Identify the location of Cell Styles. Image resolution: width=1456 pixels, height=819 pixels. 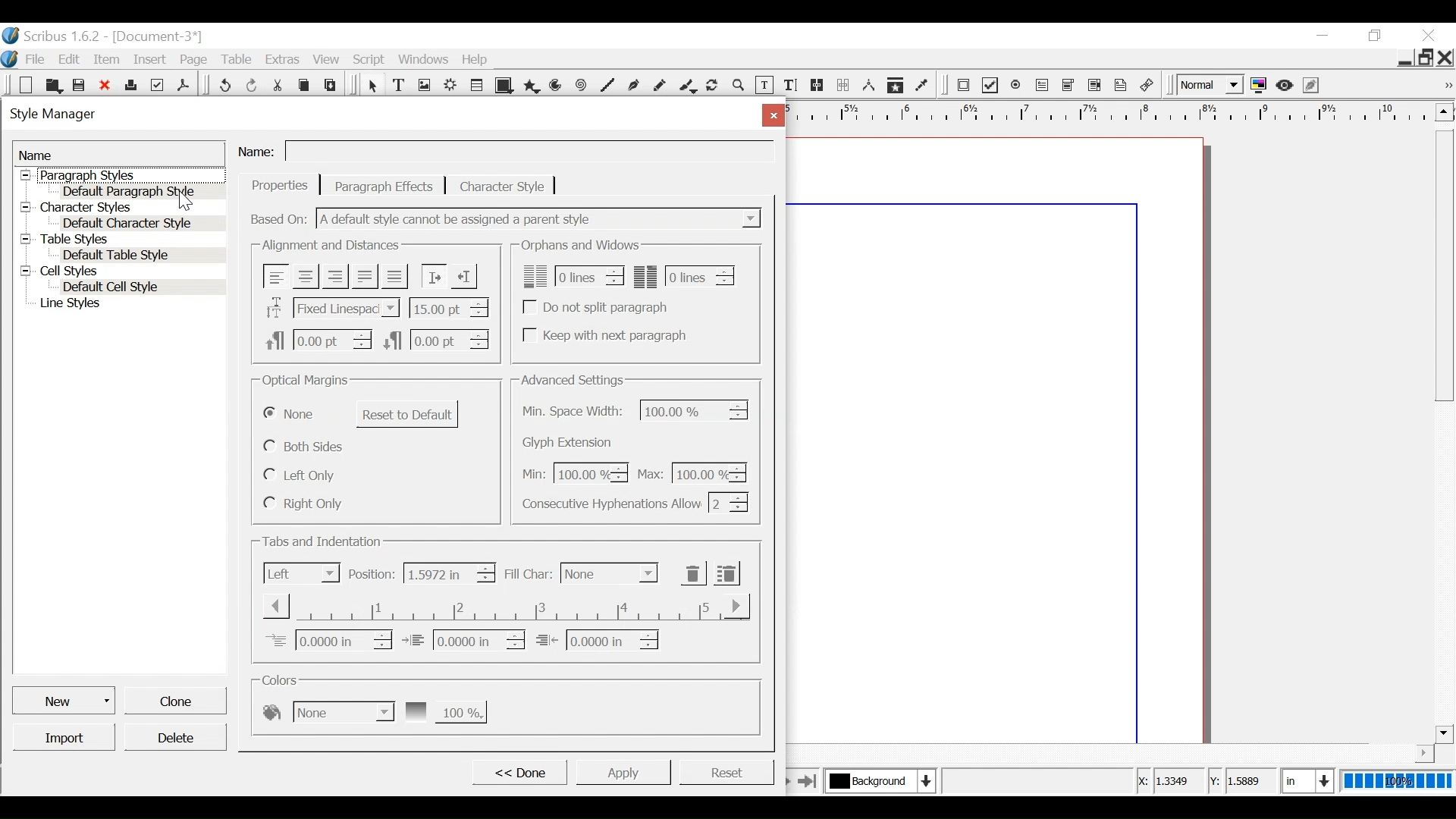
(121, 272).